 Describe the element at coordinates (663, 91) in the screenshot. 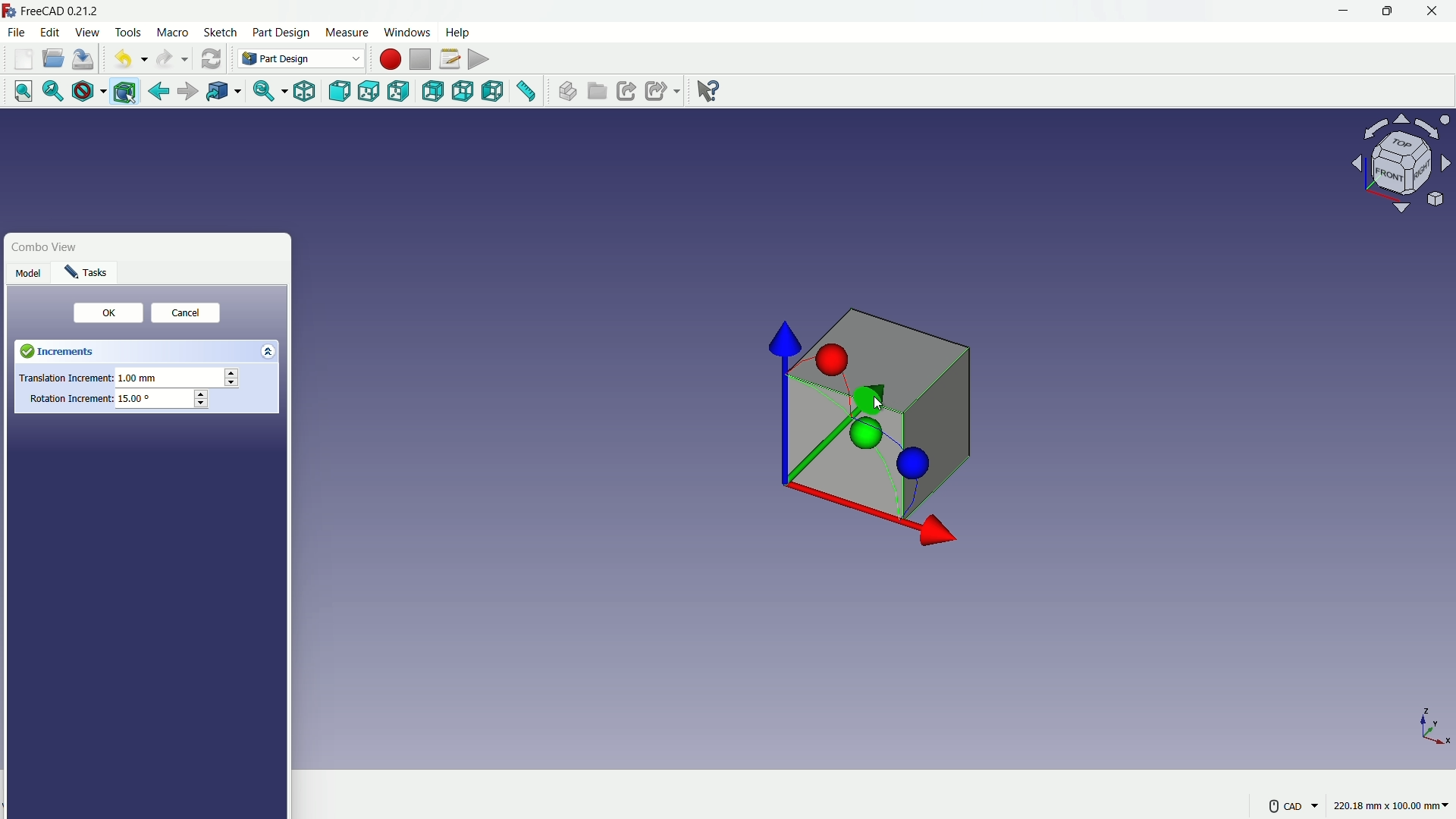

I see `make sublink` at that location.